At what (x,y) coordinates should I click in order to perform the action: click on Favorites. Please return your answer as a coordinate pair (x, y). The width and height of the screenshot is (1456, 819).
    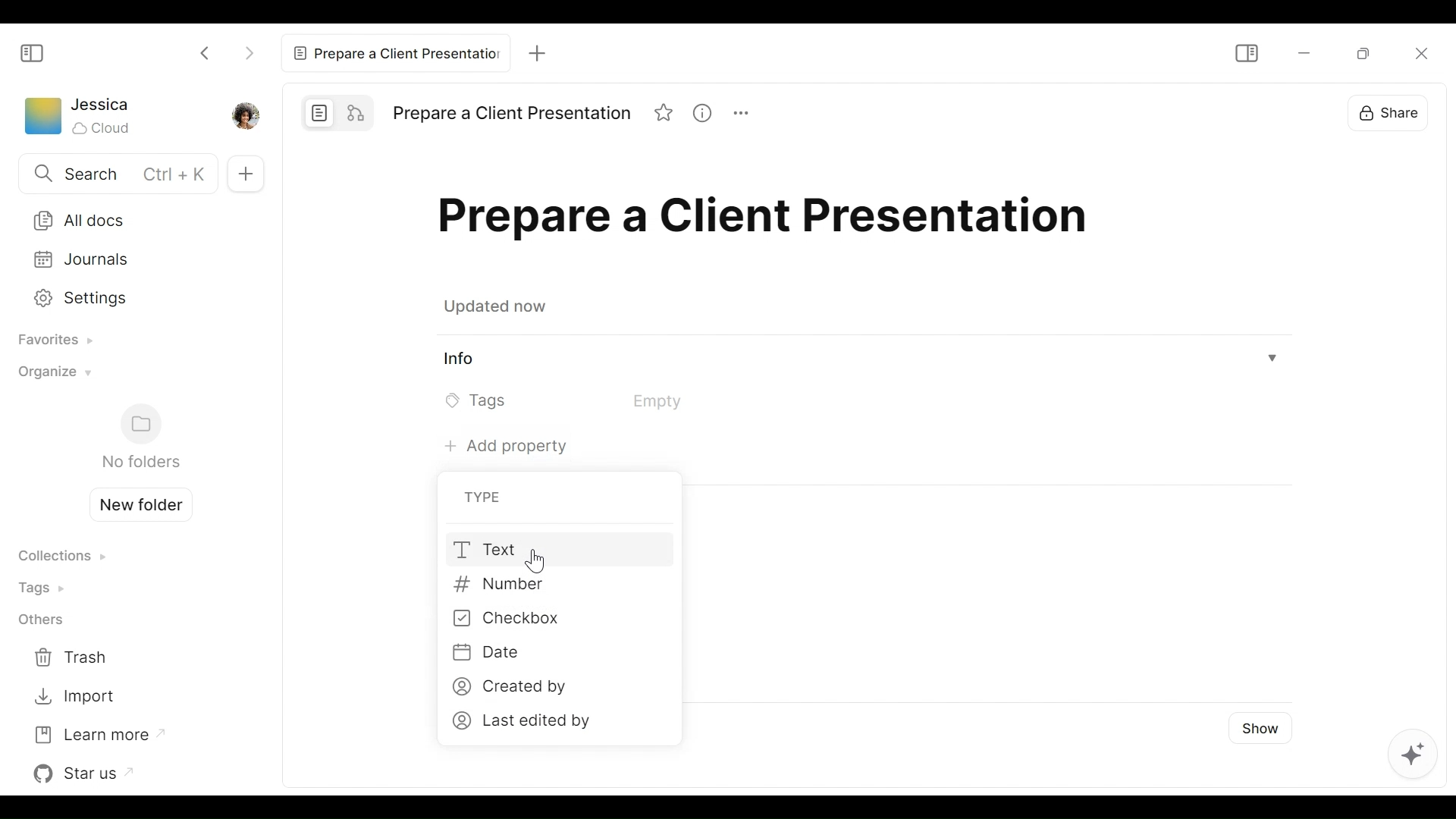
    Looking at the image, I should click on (50, 341).